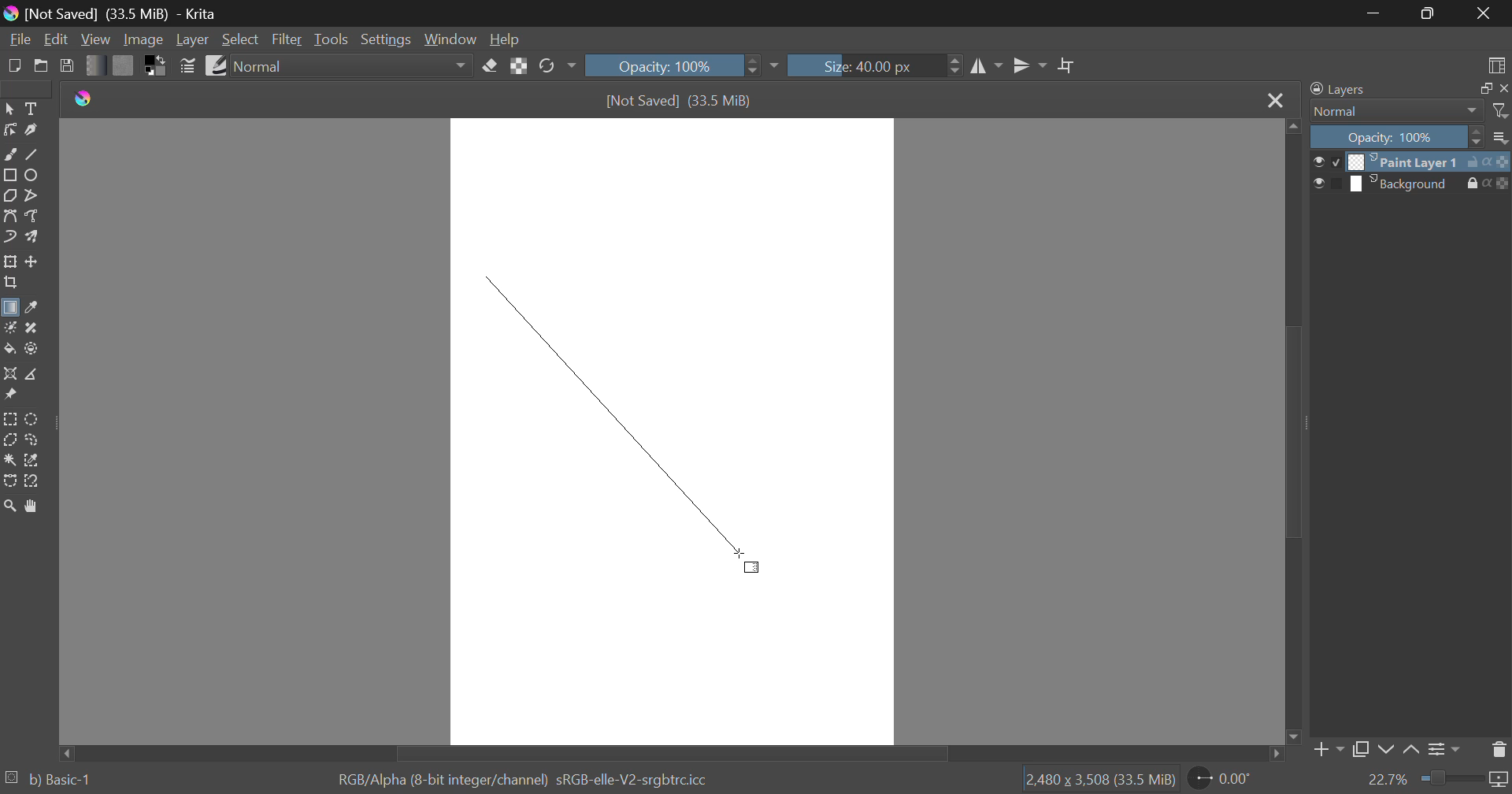 The image size is (1512, 794). Describe the element at coordinates (1229, 777) in the screenshot. I see `0.00°` at that location.